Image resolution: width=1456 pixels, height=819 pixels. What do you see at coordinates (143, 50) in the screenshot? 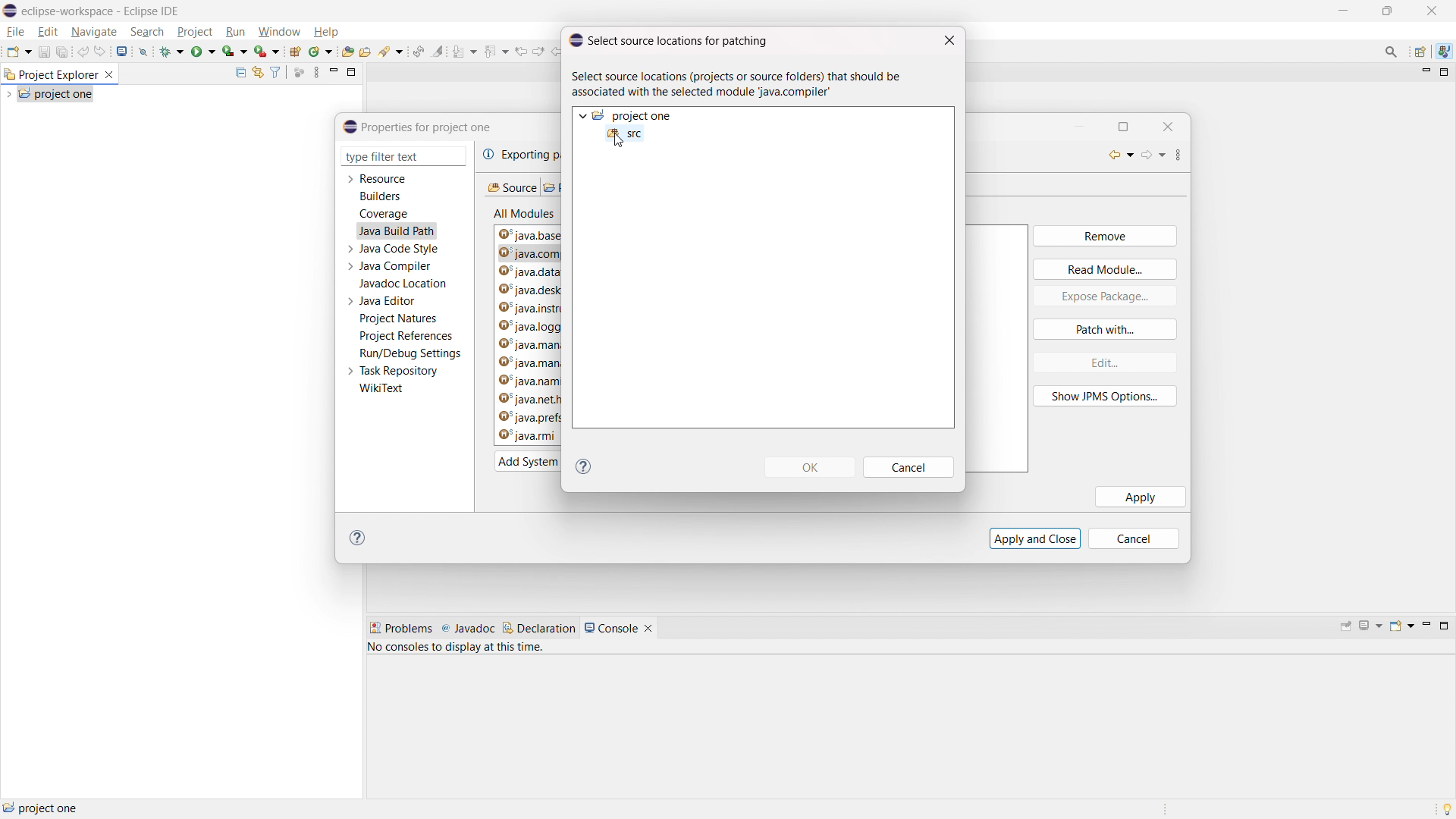
I see `skip all breakpoint` at bounding box center [143, 50].